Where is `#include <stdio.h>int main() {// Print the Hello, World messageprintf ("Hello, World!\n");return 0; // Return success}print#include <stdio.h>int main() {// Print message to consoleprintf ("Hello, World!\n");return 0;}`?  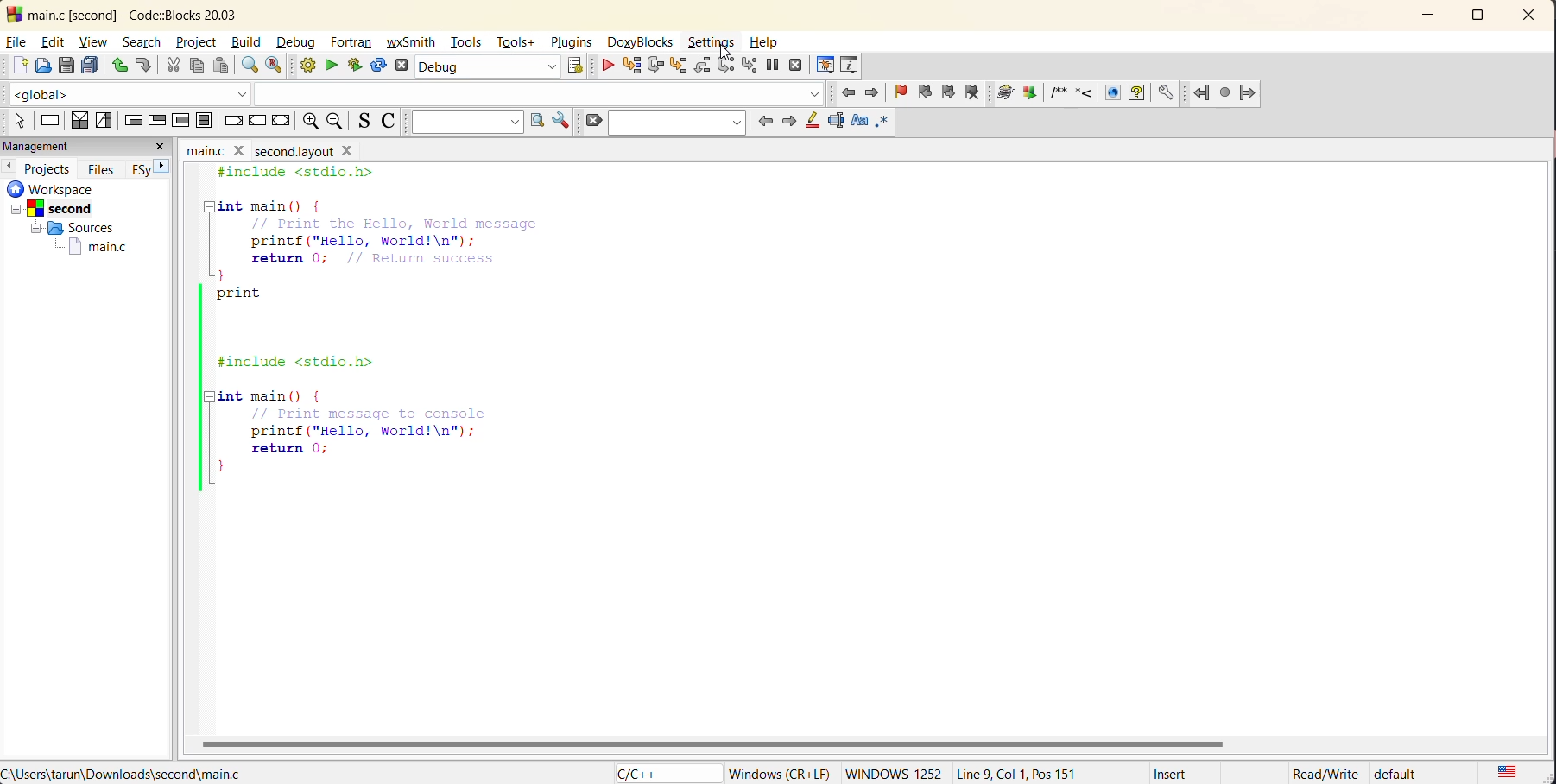 #include <stdio.h>int main() {// Print the Hello, World messageprintf ("Hello, World!\n");return 0; // Return success}print#include <stdio.h>int main() {// Print message to consoleprintf ("Hello, World!\n");return 0;} is located at coordinates (399, 335).